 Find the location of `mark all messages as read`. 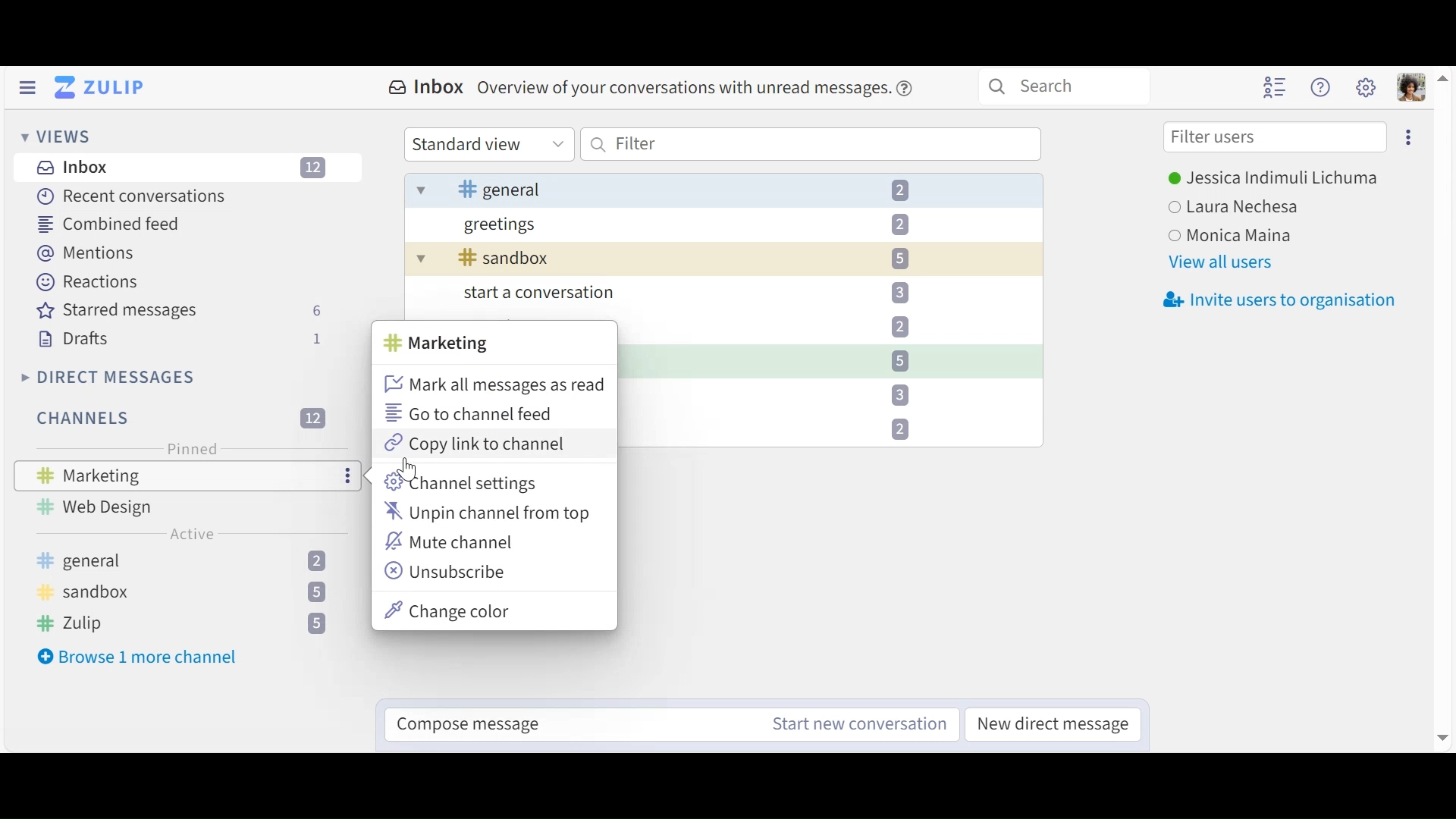

mark all messages as read is located at coordinates (494, 385).